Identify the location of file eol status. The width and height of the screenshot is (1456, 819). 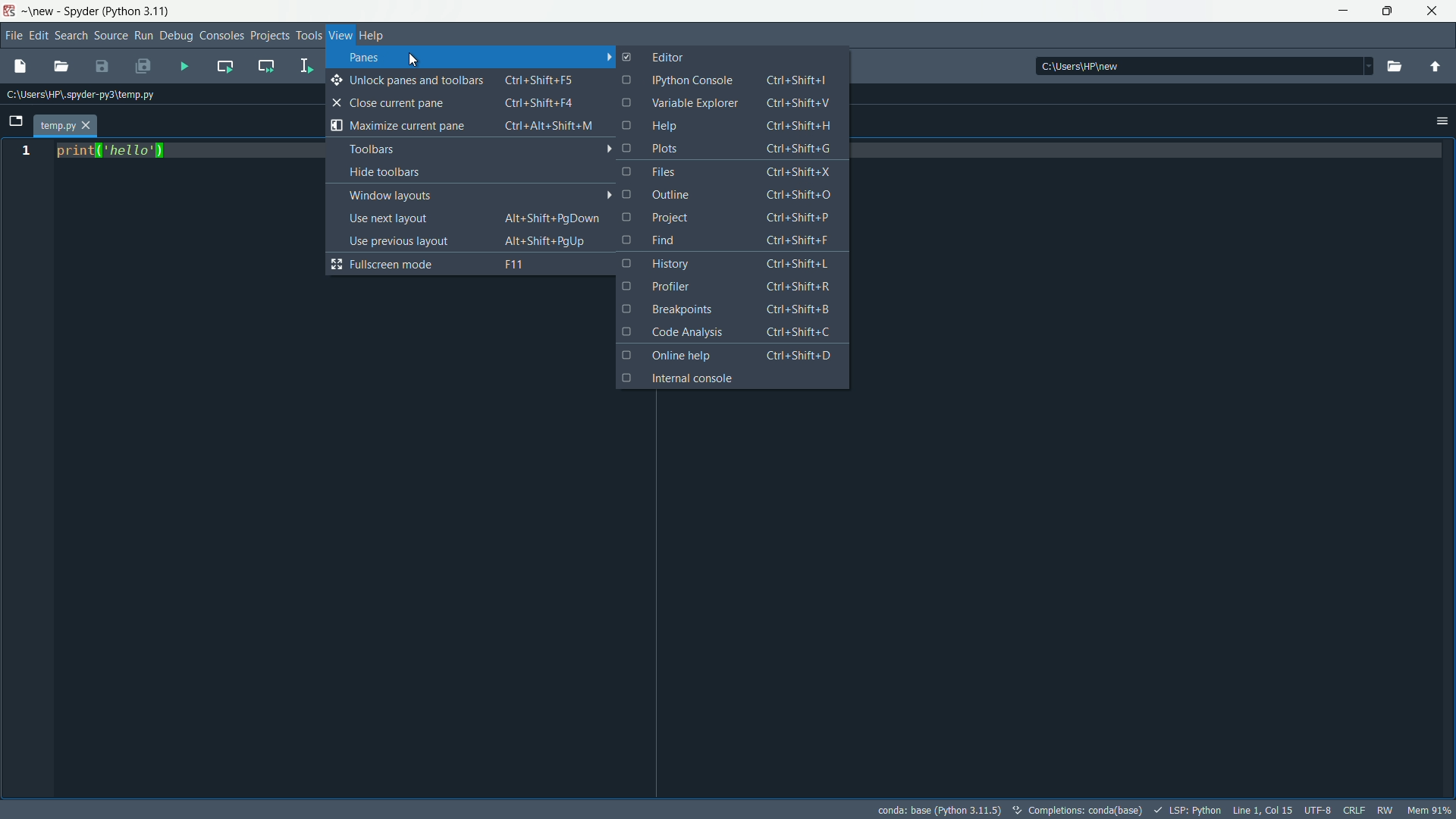
(1354, 808).